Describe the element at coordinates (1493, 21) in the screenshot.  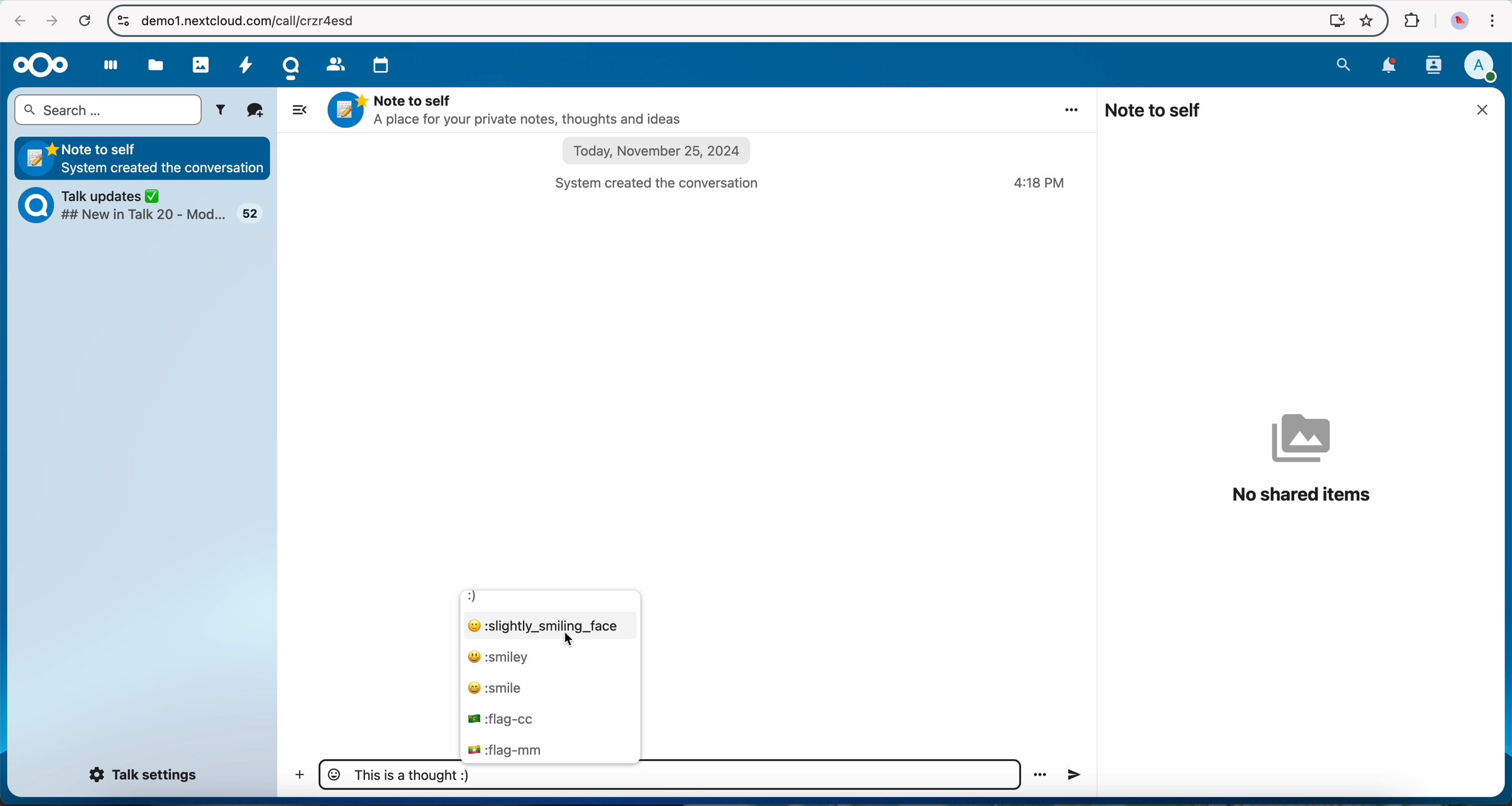
I see `customize and control Google Chrome` at that location.